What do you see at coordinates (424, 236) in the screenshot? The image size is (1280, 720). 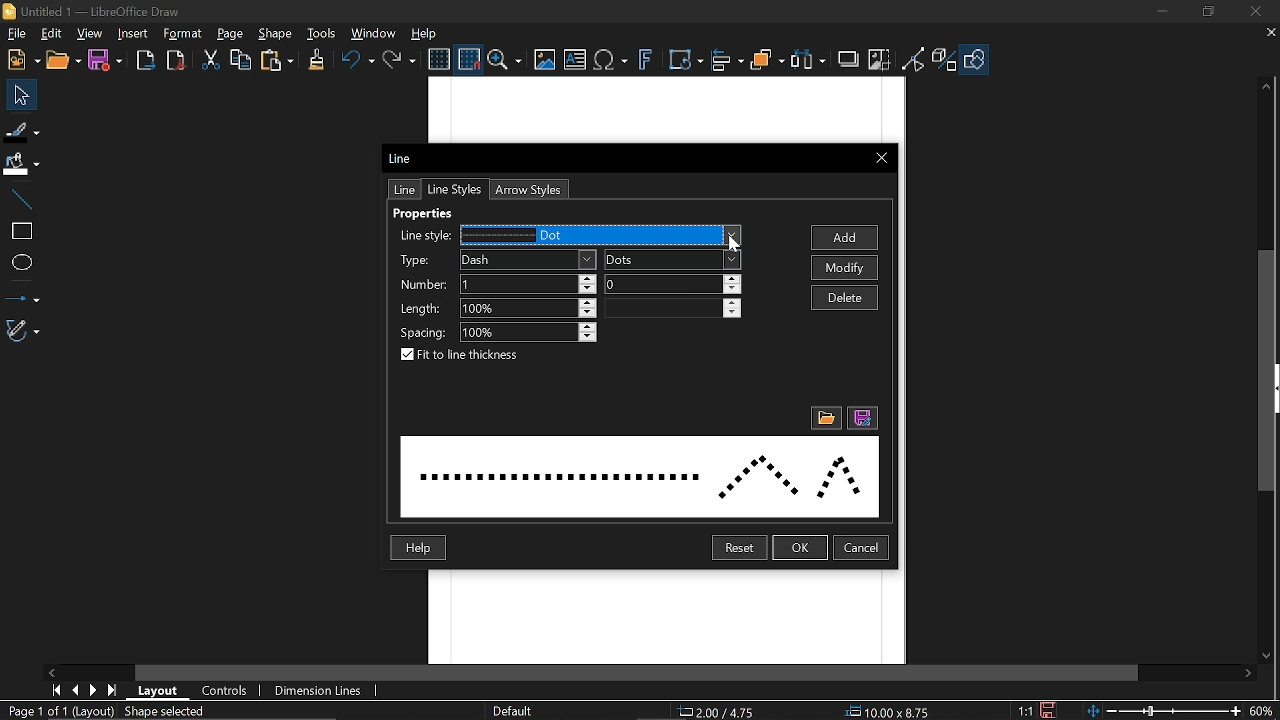 I see `Line style:` at bounding box center [424, 236].